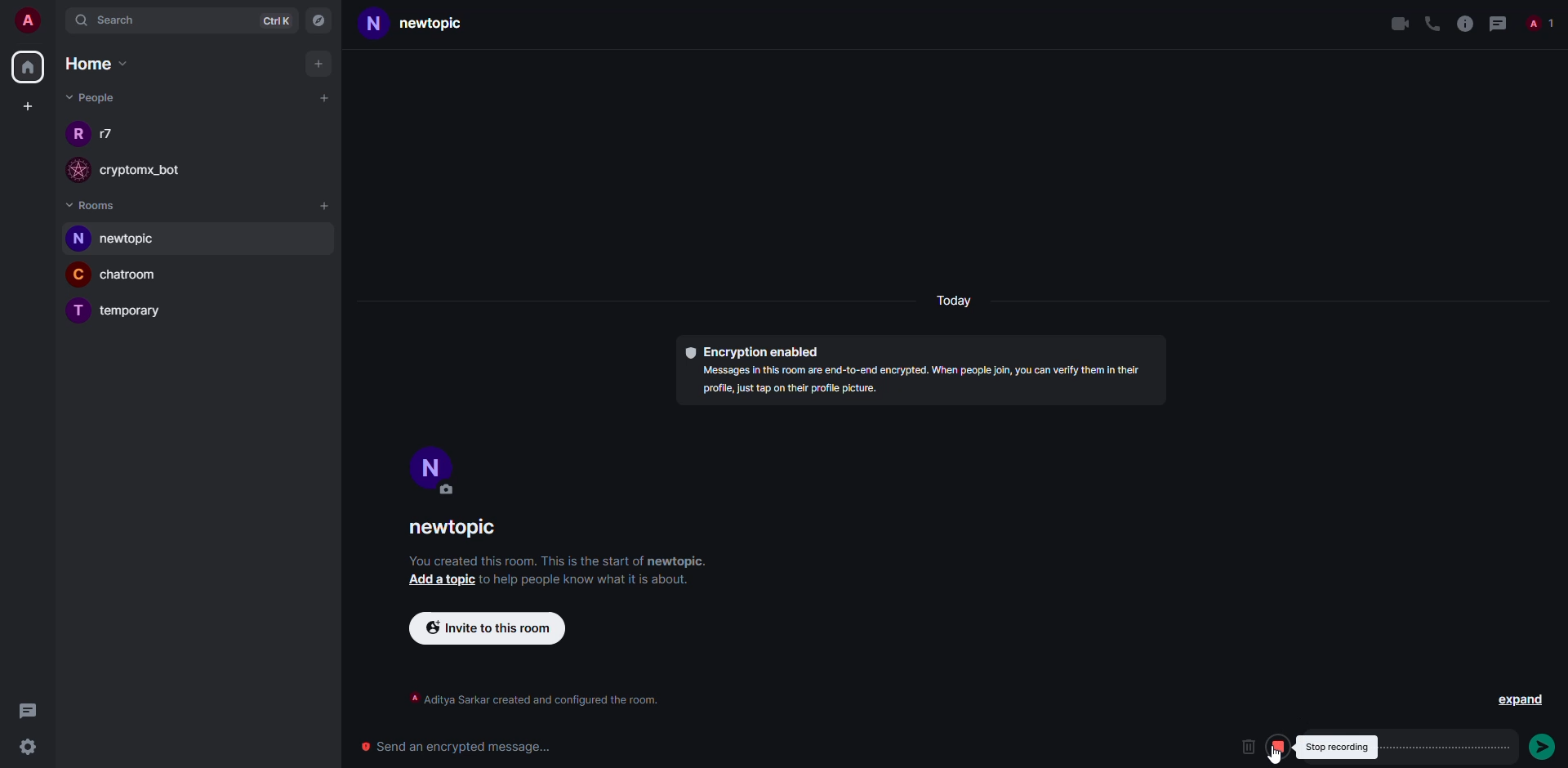 The height and width of the screenshot is (768, 1568). What do you see at coordinates (527, 699) in the screenshot?
I see `info` at bounding box center [527, 699].